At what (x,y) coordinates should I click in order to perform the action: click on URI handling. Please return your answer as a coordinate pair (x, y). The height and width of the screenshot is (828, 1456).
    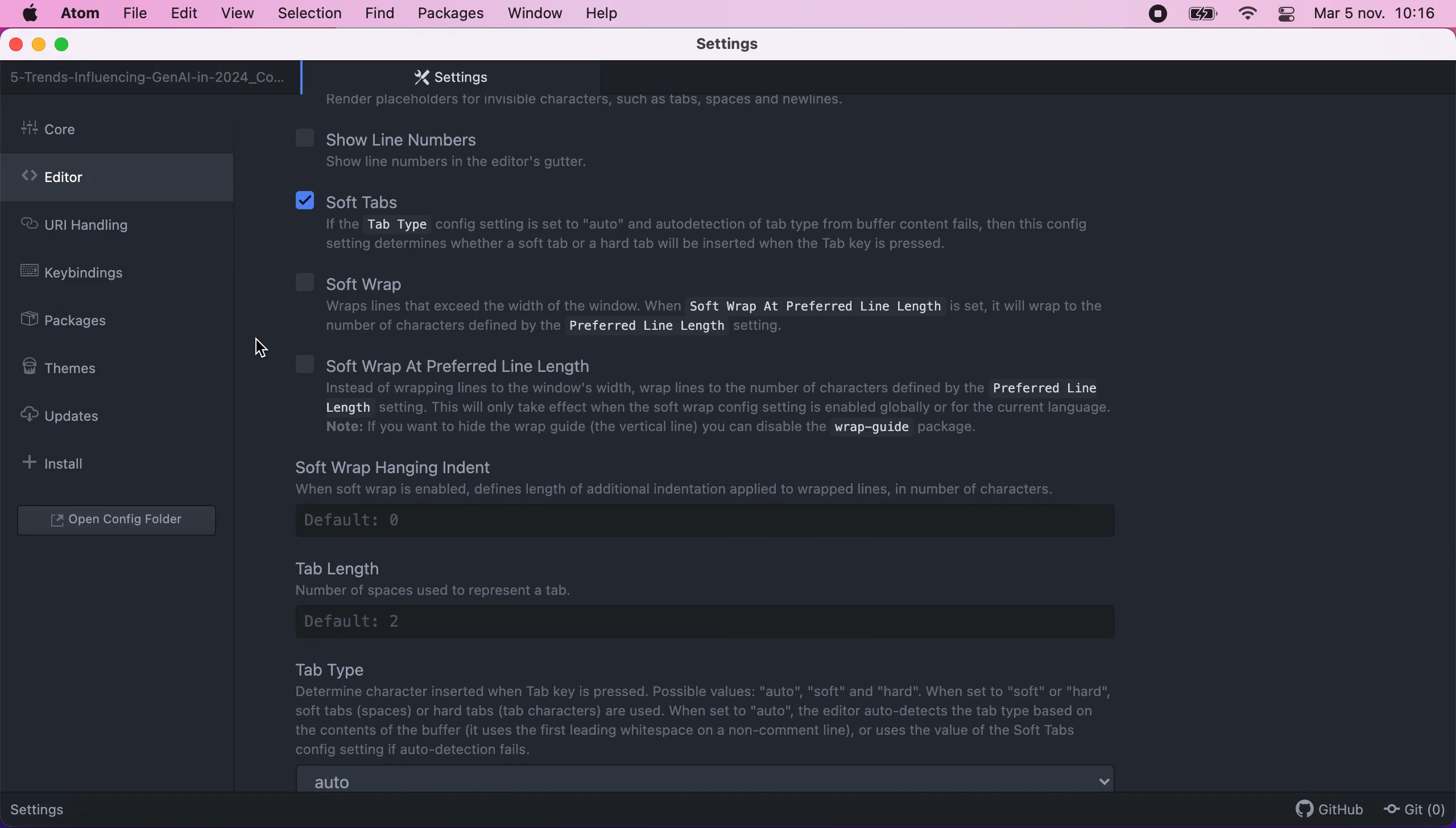
    Looking at the image, I should click on (96, 228).